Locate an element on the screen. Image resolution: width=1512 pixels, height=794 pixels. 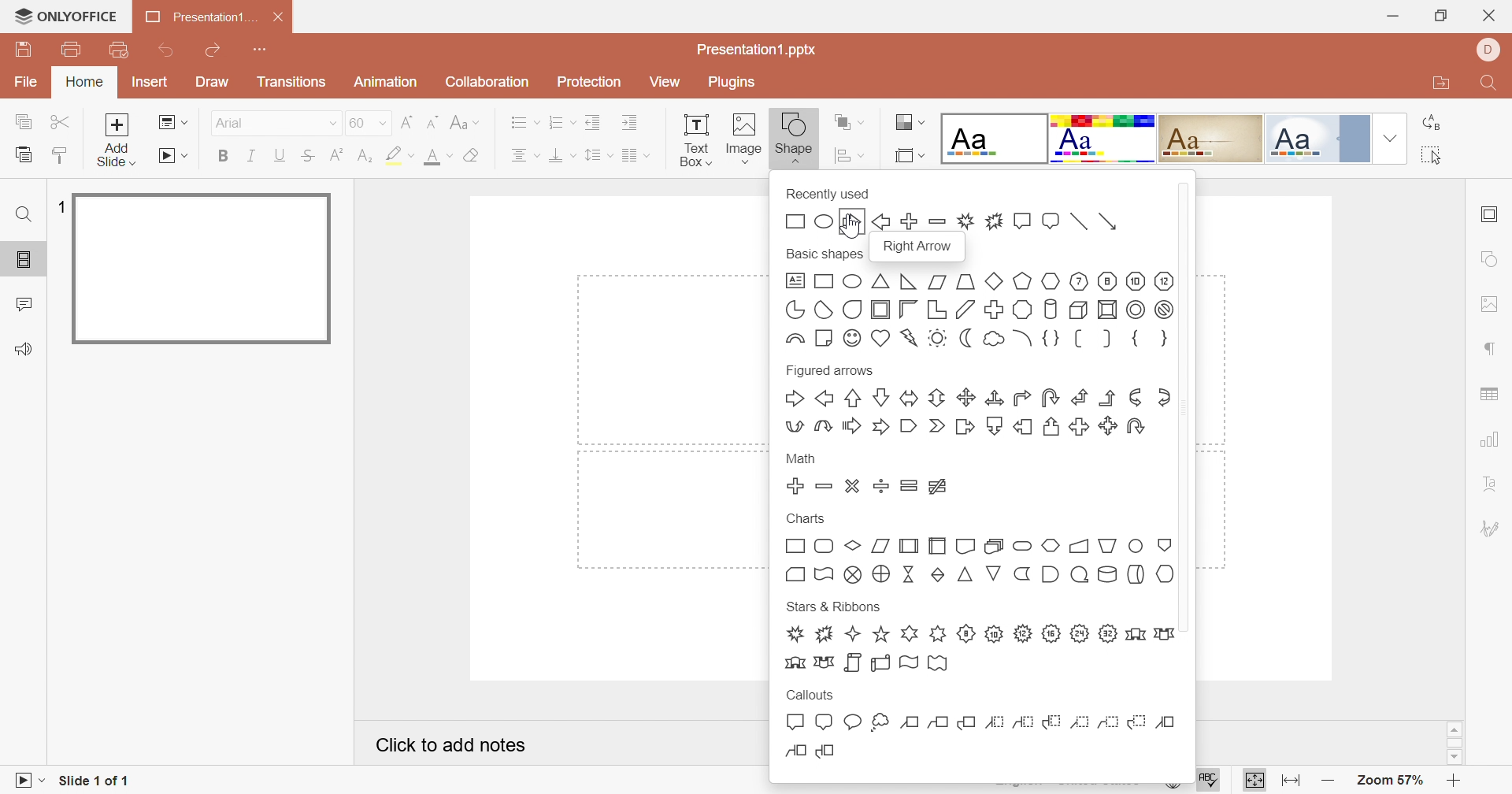
Basic shapes icons is located at coordinates (979, 310).